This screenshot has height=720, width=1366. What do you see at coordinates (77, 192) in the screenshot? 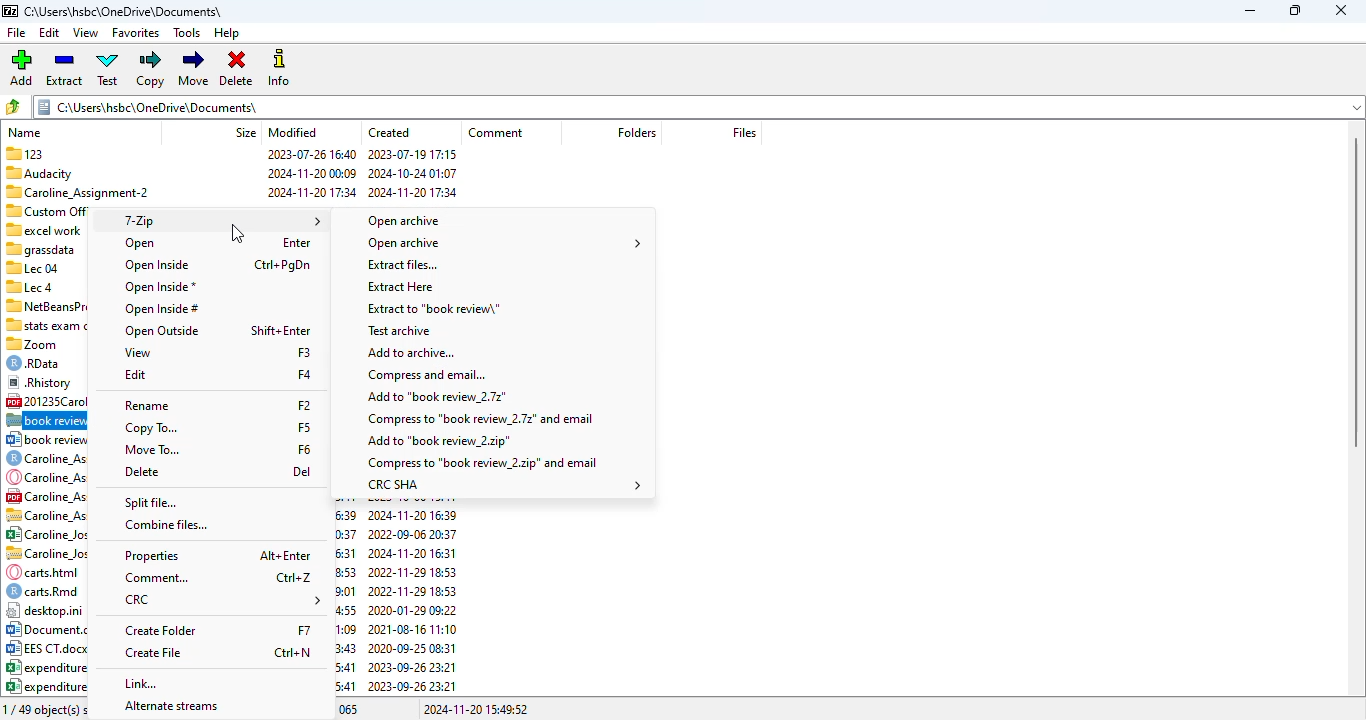
I see `Caroline Assignment-2` at bounding box center [77, 192].